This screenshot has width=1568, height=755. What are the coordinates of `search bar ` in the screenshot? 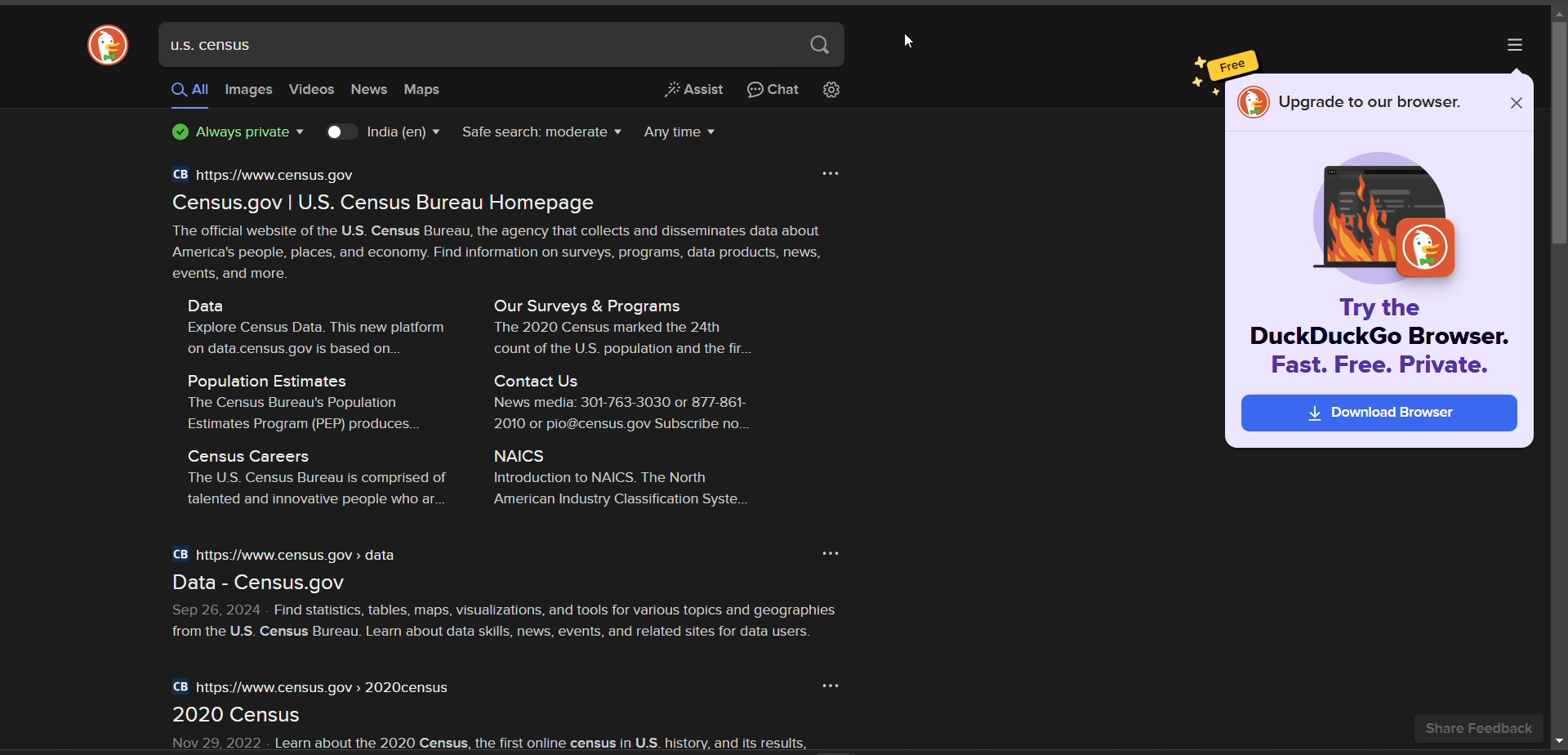 It's located at (481, 44).